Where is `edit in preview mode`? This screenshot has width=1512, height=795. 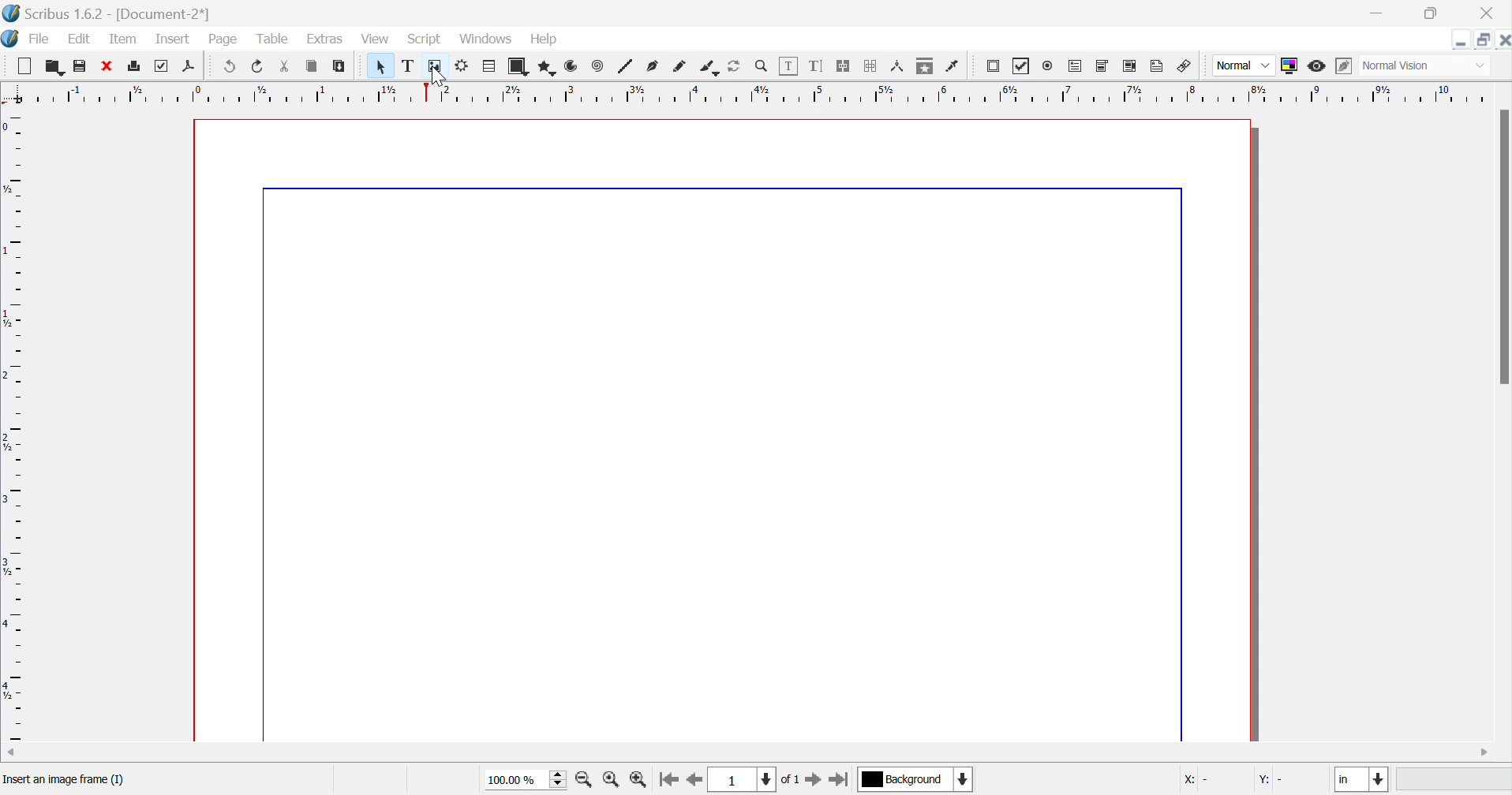 edit in preview mode is located at coordinates (1341, 66).